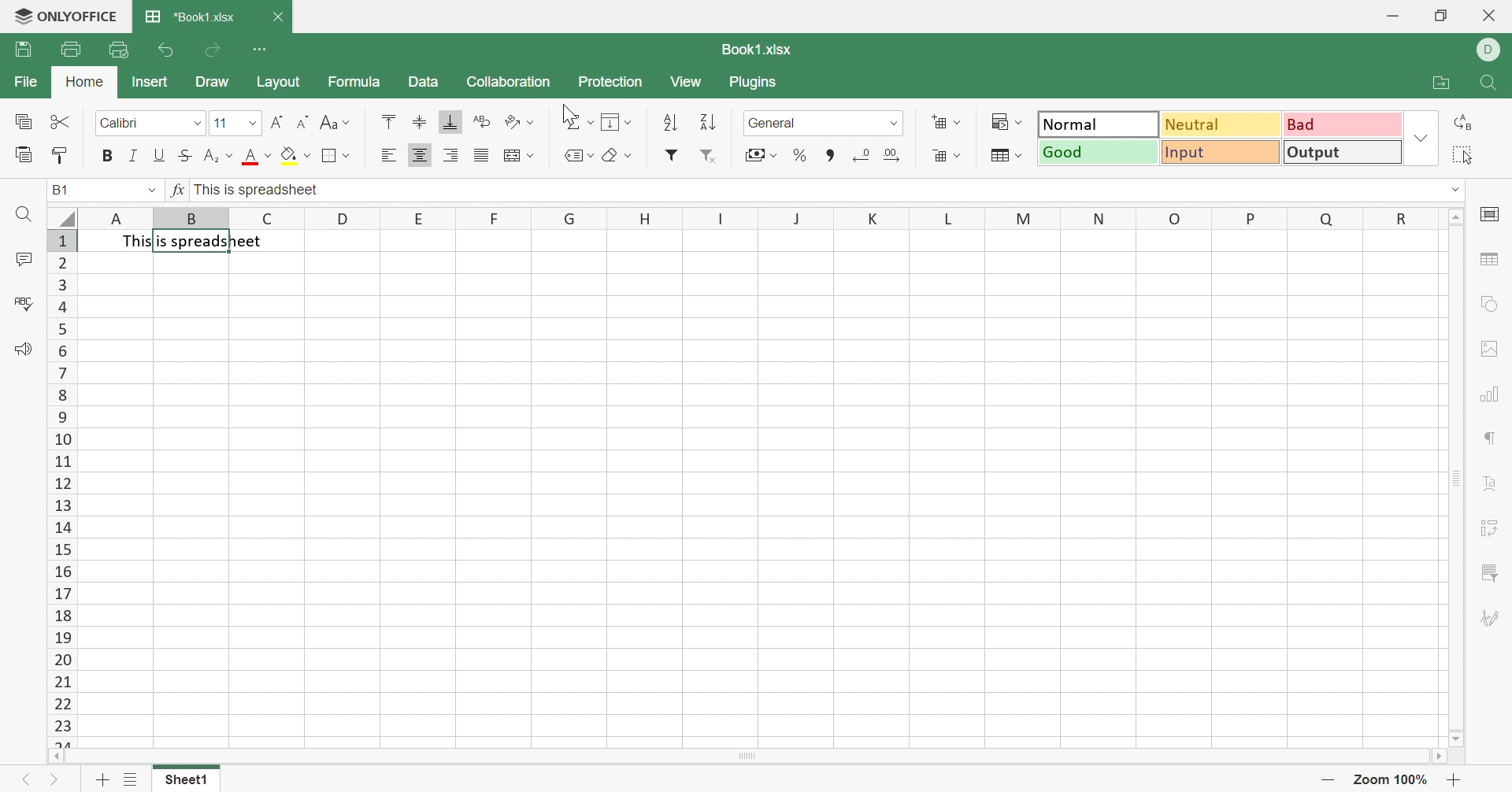 The image size is (1512, 792). Describe the element at coordinates (775, 155) in the screenshot. I see `Drop Down` at that location.